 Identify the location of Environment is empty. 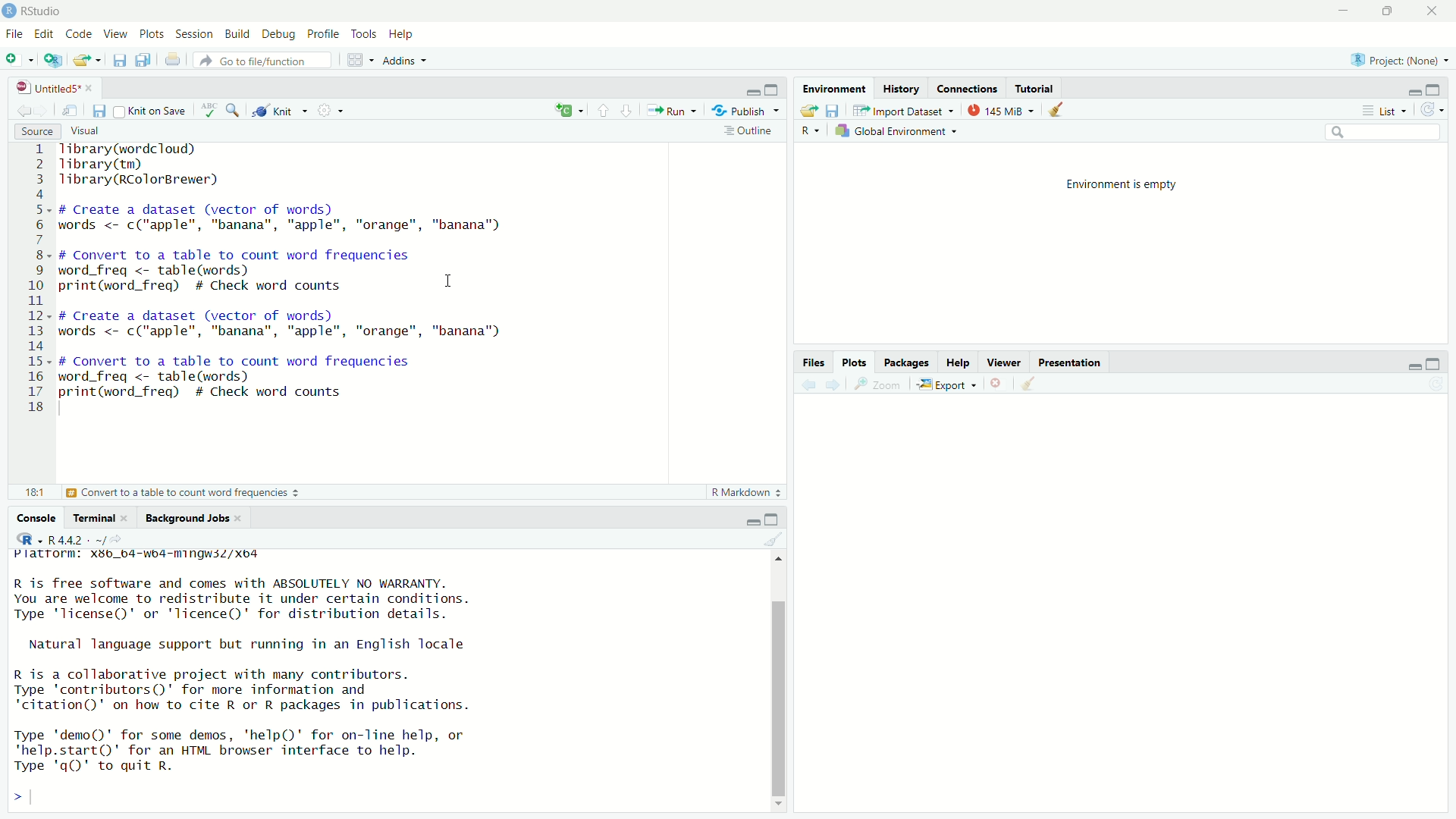
(1120, 187).